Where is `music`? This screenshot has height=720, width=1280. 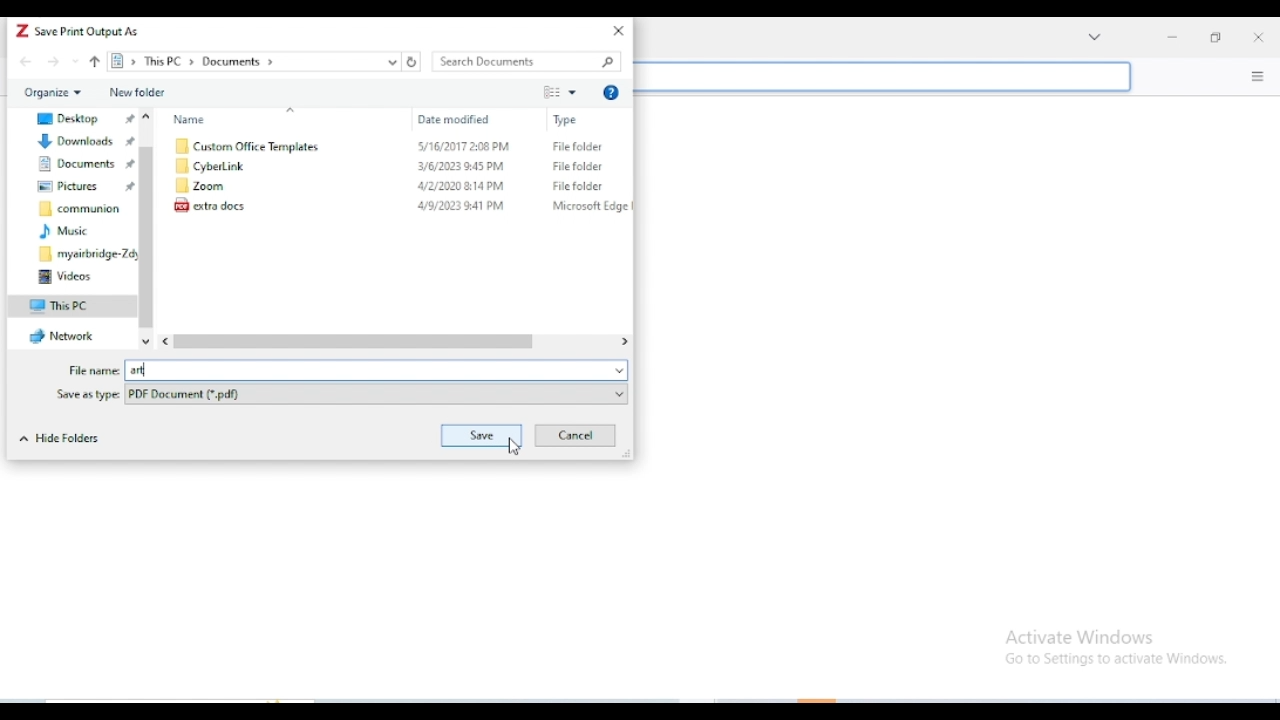
music is located at coordinates (66, 231).